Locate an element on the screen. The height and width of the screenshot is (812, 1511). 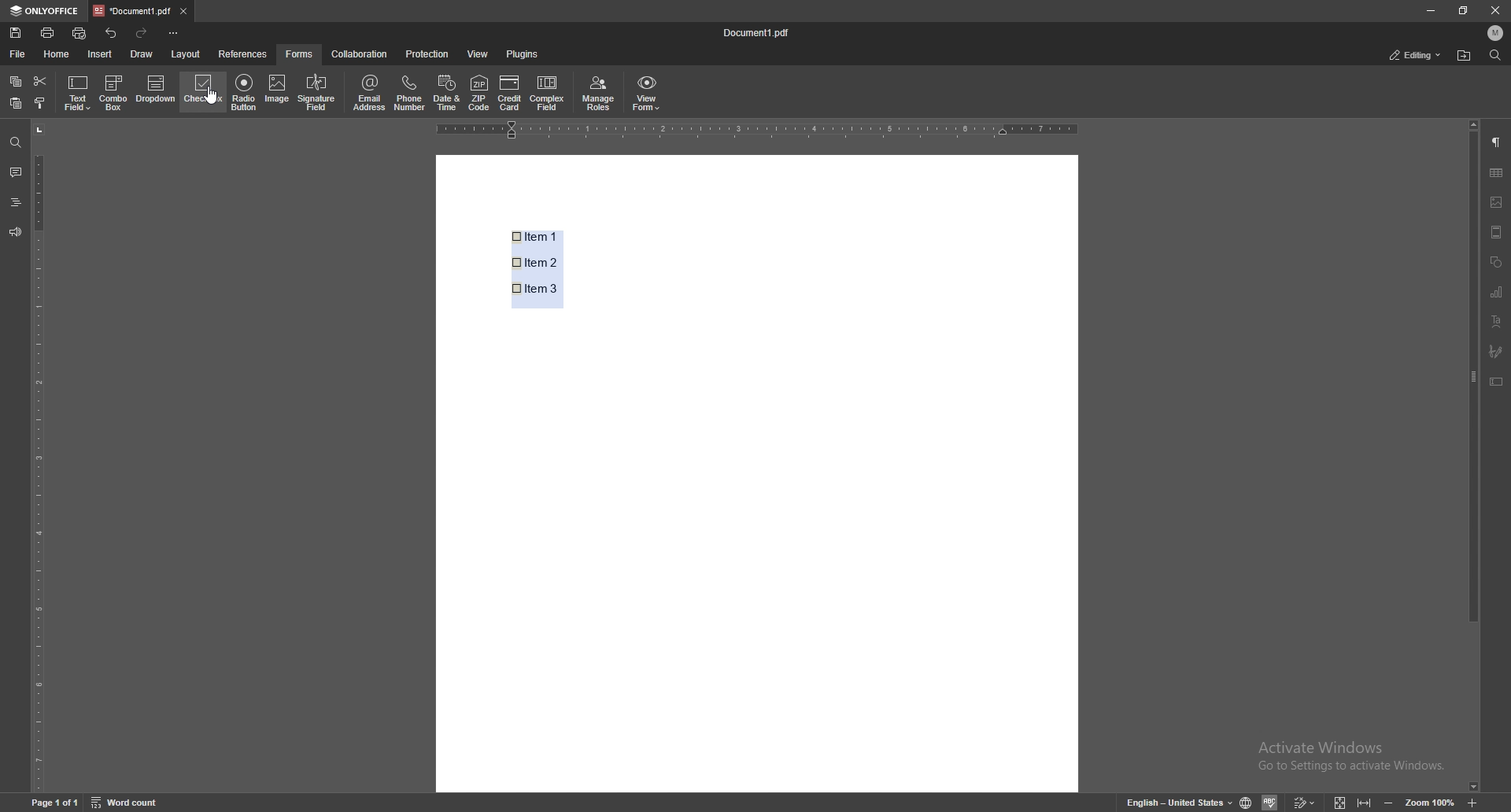
home is located at coordinates (60, 54).